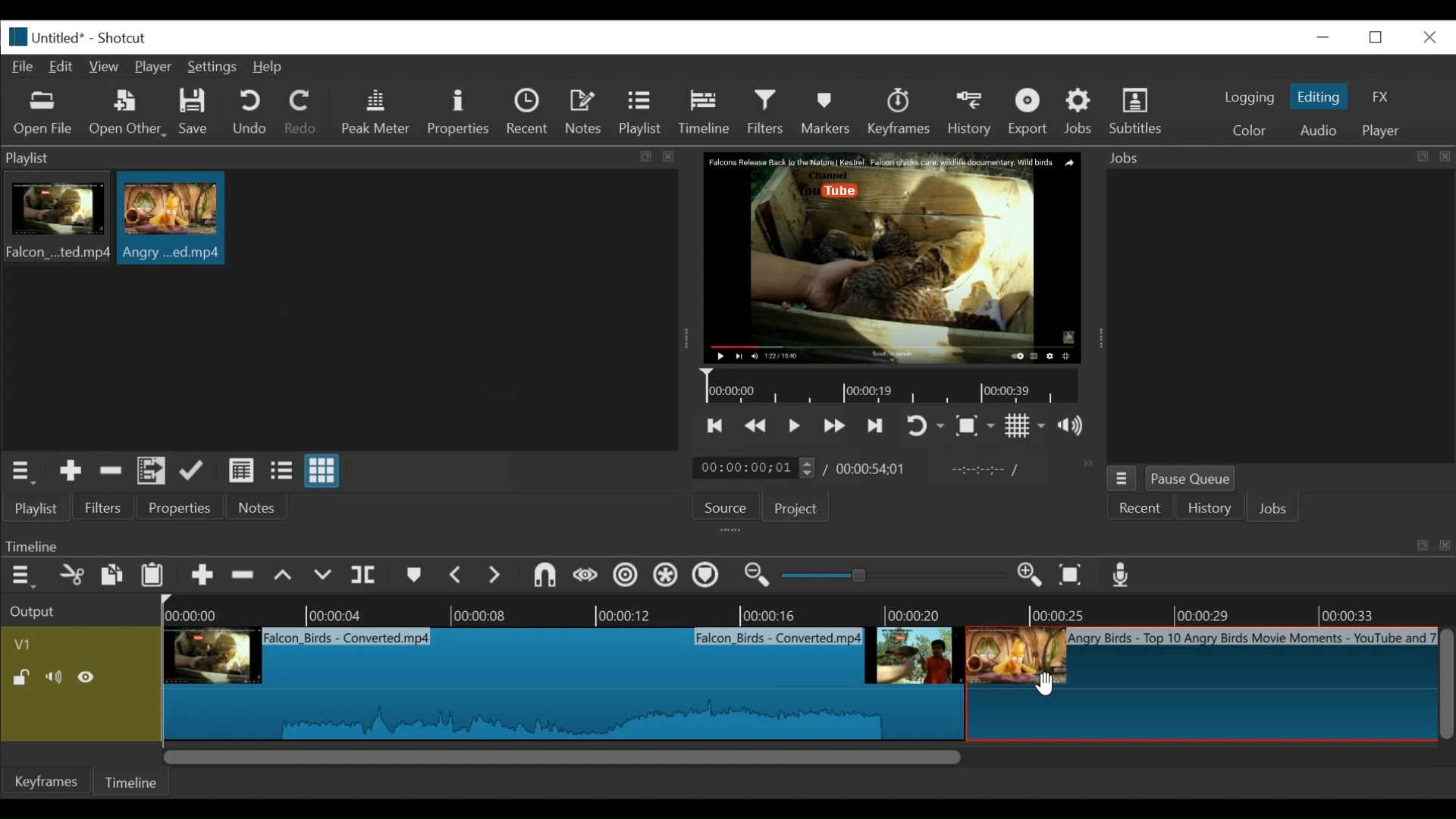  Describe the element at coordinates (1075, 576) in the screenshot. I see `Zoom timeline to fit` at that location.